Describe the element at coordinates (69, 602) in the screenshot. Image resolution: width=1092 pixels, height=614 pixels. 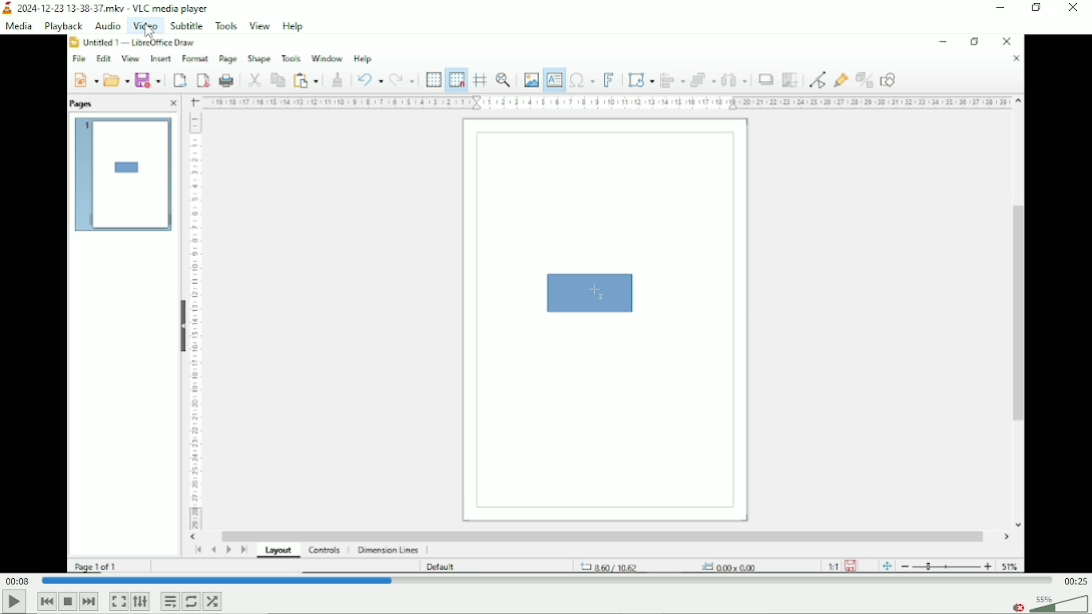
I see `Stop playback` at that location.